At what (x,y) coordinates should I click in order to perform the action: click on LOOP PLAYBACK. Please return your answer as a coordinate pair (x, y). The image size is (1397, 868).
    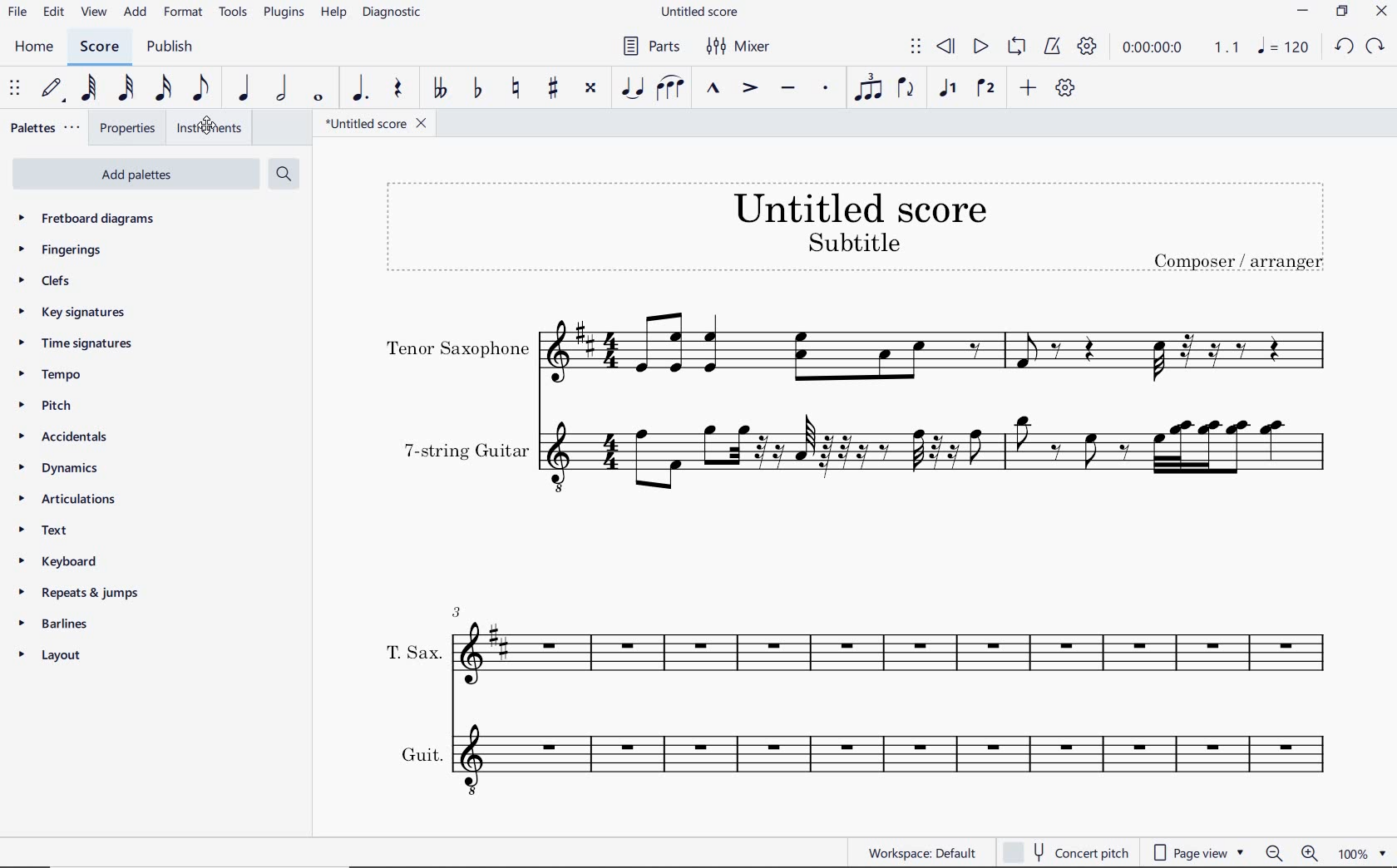
    Looking at the image, I should click on (1014, 47).